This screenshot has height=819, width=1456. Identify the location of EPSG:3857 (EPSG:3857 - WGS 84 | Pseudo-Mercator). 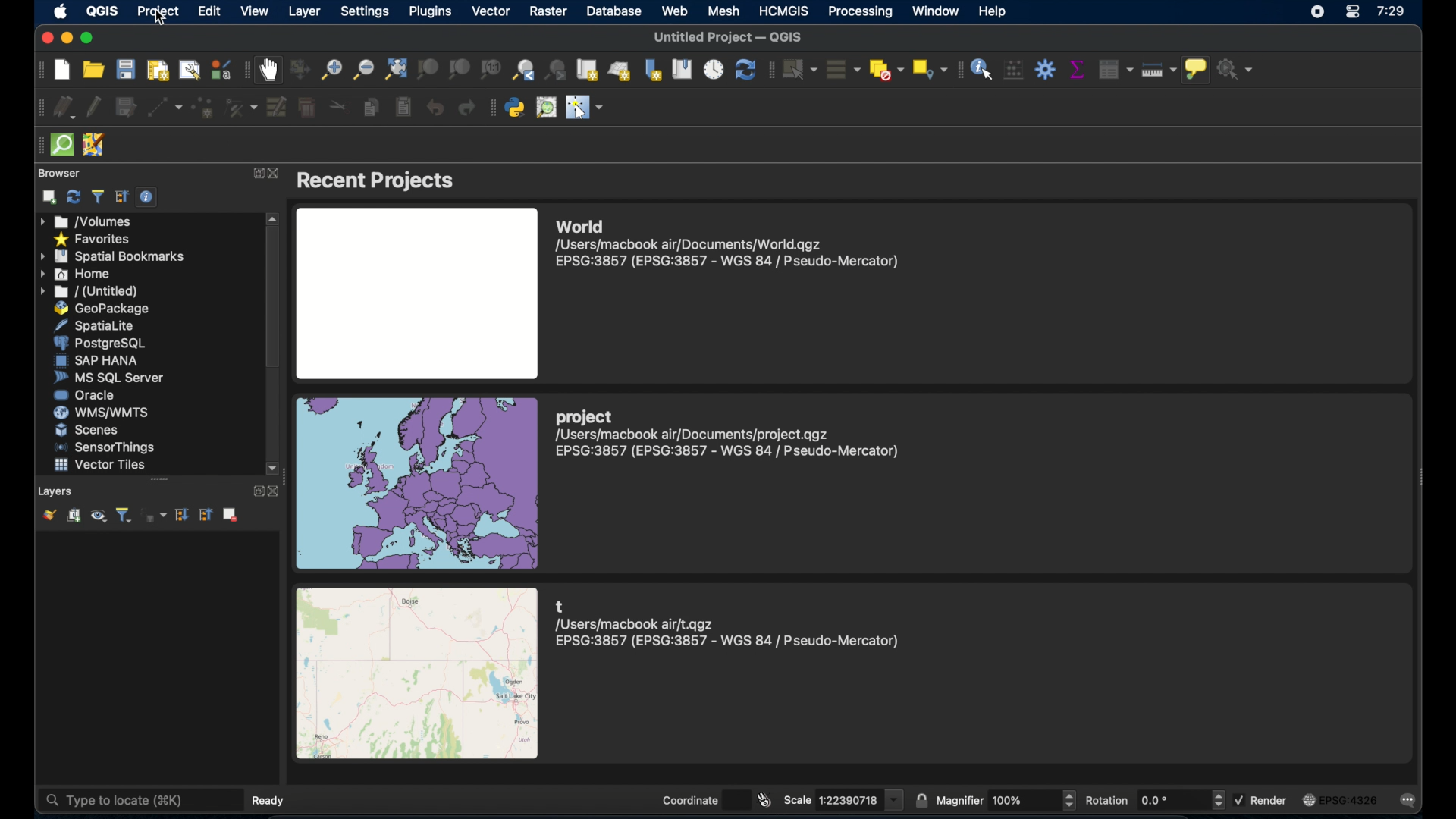
(726, 261).